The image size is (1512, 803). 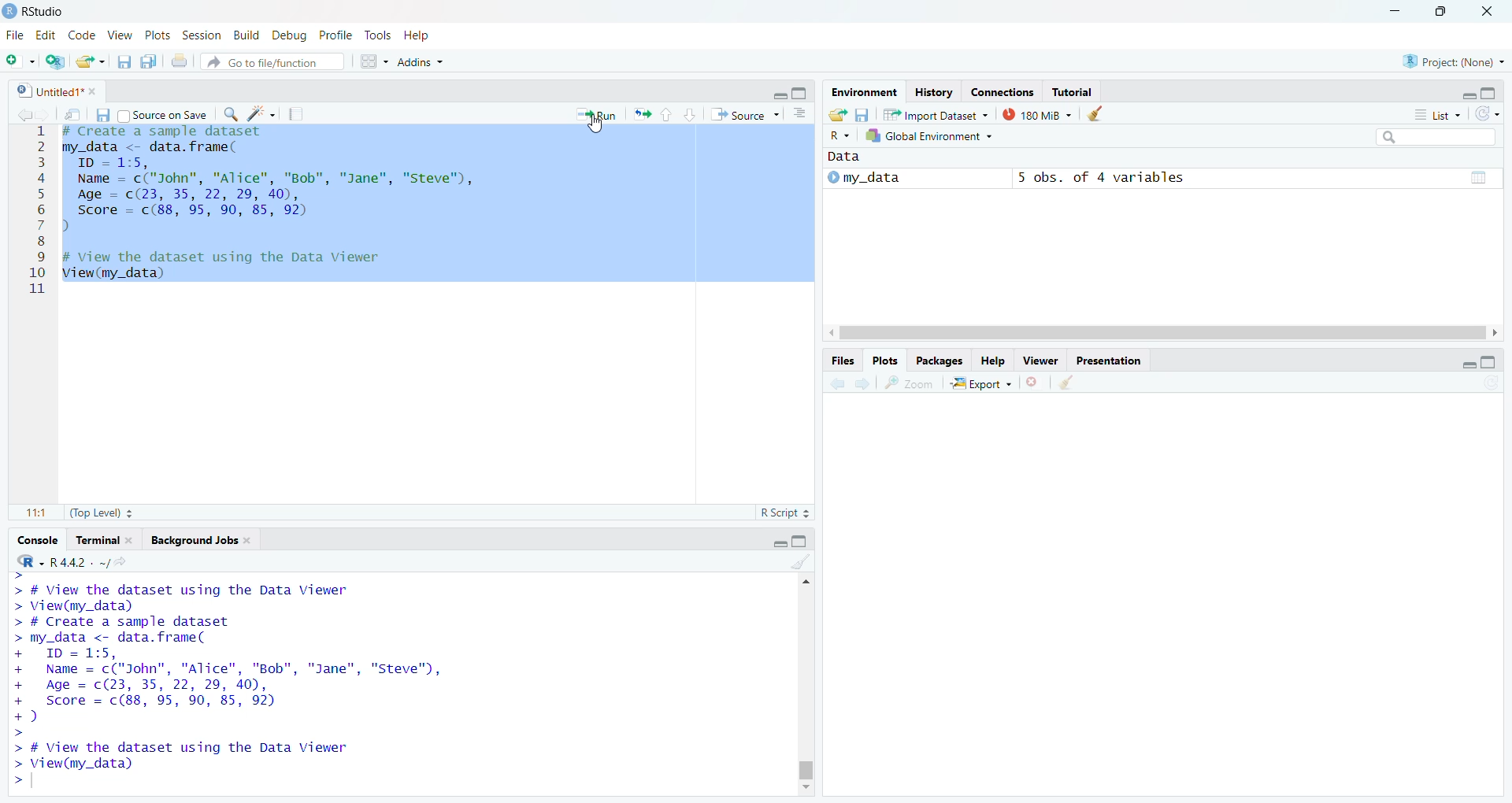 I want to click on Source, so click(x=746, y=116).